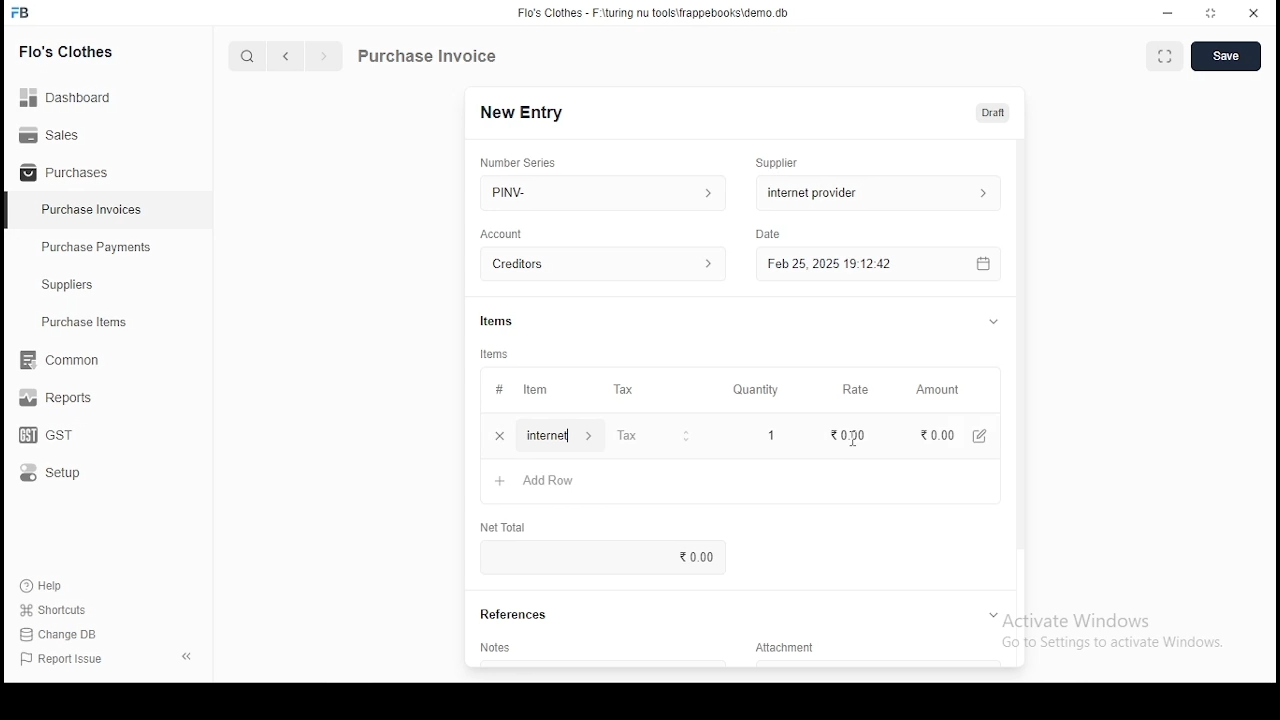 This screenshot has height=720, width=1280. Describe the element at coordinates (1254, 11) in the screenshot. I see `close window` at that location.